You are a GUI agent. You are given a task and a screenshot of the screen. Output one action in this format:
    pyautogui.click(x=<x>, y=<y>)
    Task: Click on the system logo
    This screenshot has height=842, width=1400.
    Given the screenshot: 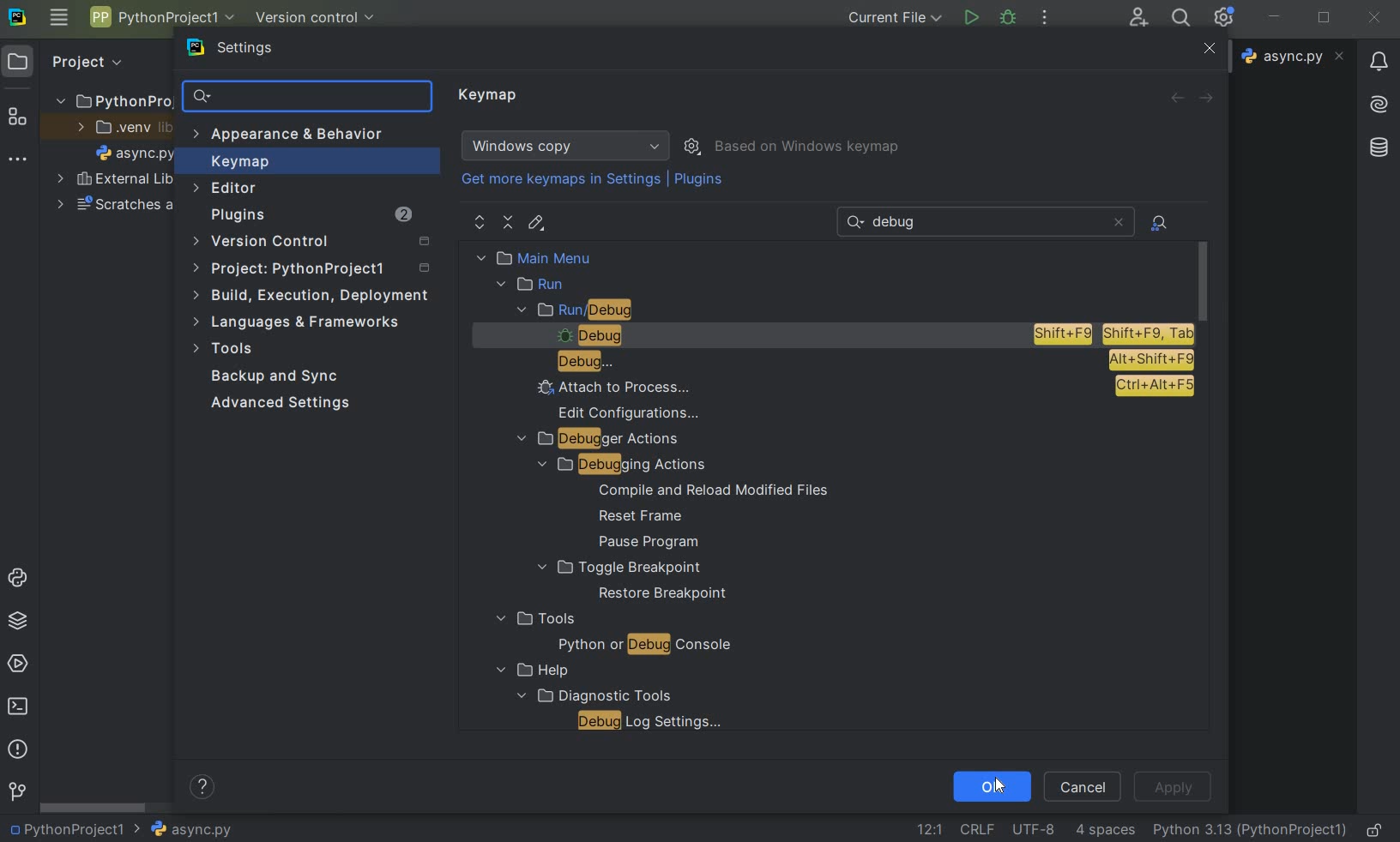 What is the action you would take?
    pyautogui.click(x=16, y=15)
    